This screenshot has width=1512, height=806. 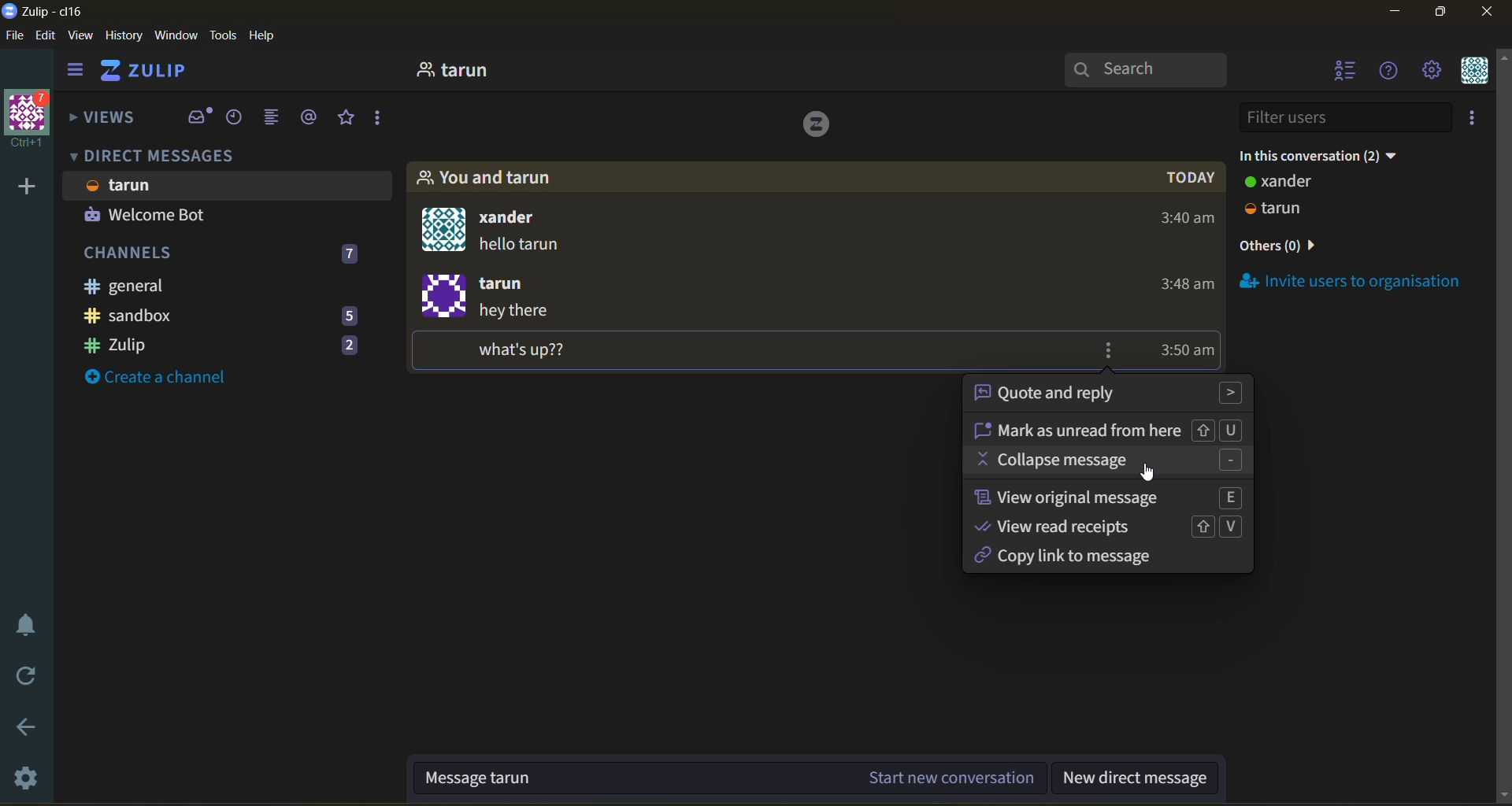 What do you see at coordinates (1191, 353) in the screenshot?
I see `message timestamp` at bounding box center [1191, 353].